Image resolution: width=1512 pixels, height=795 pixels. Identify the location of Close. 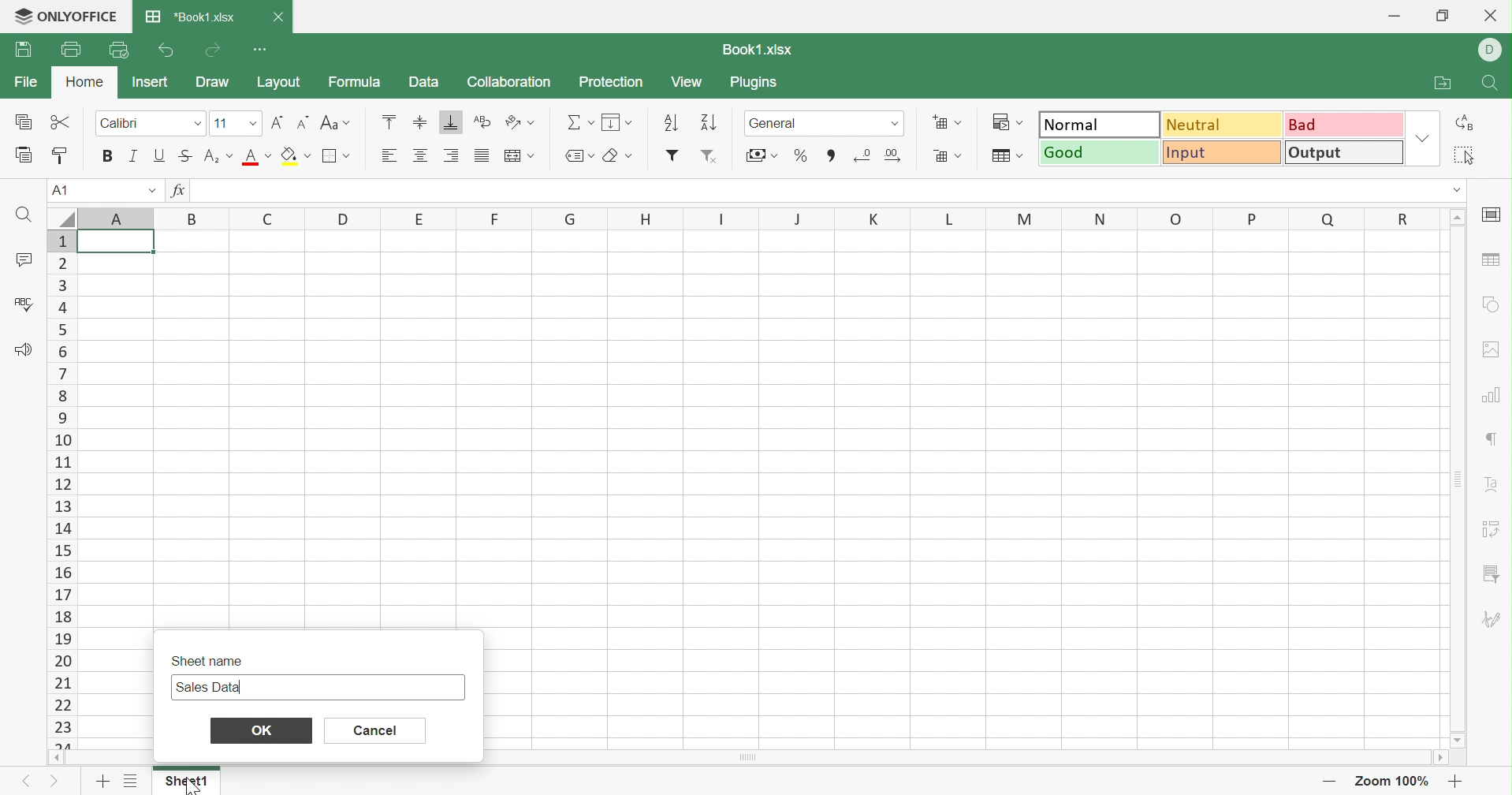
(1493, 14).